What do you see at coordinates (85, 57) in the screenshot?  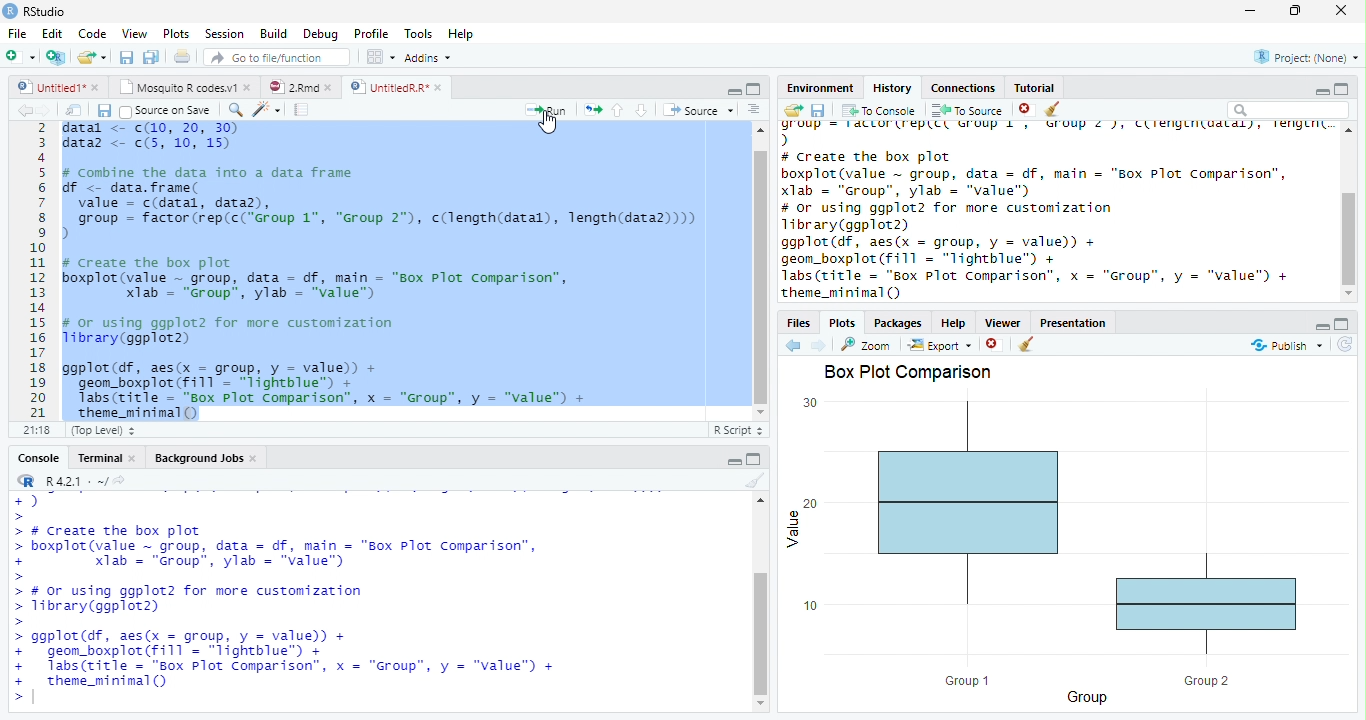 I see `Open an existing file` at bounding box center [85, 57].